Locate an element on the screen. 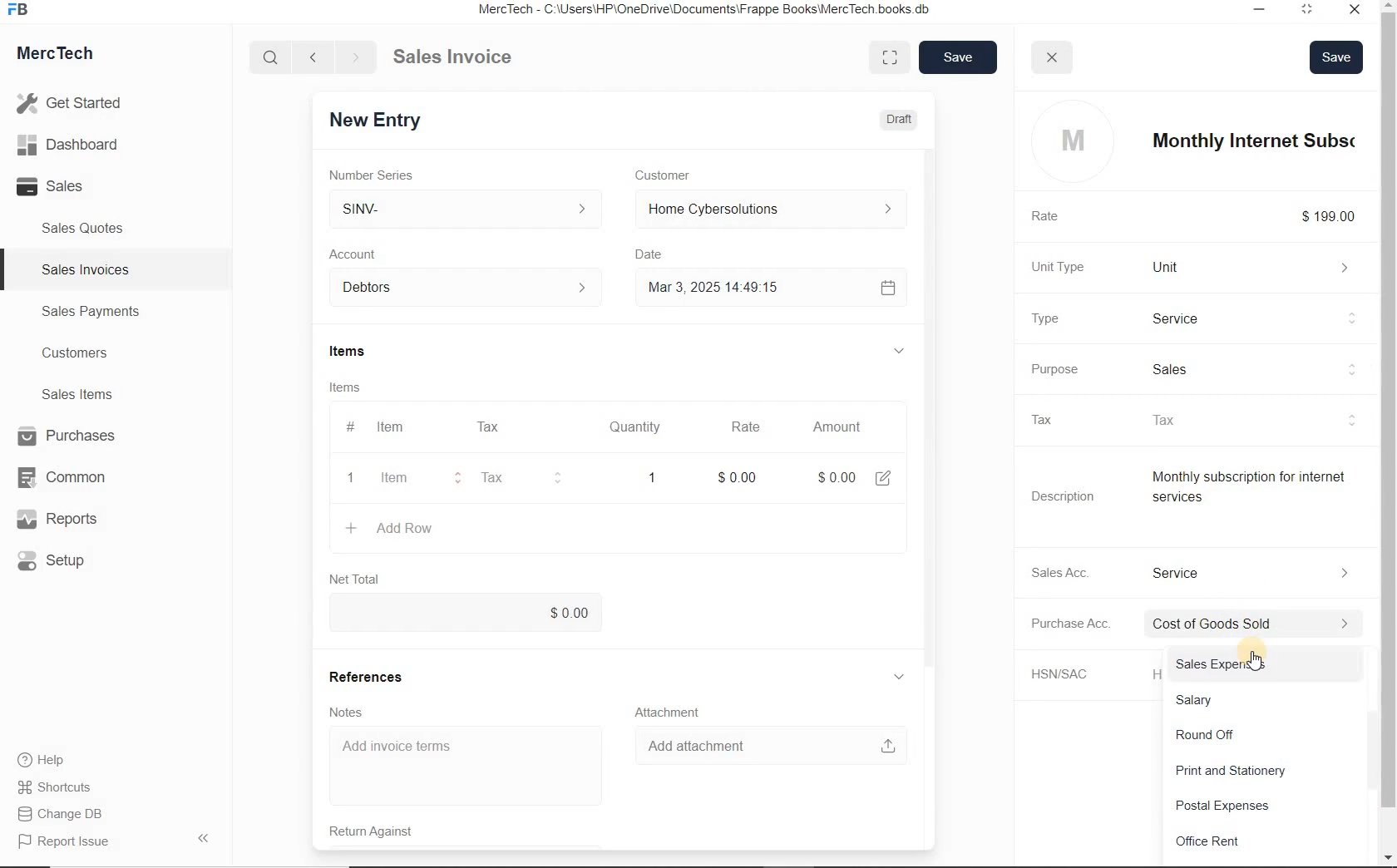 The image size is (1397, 868). Calendar is located at coordinates (892, 287).